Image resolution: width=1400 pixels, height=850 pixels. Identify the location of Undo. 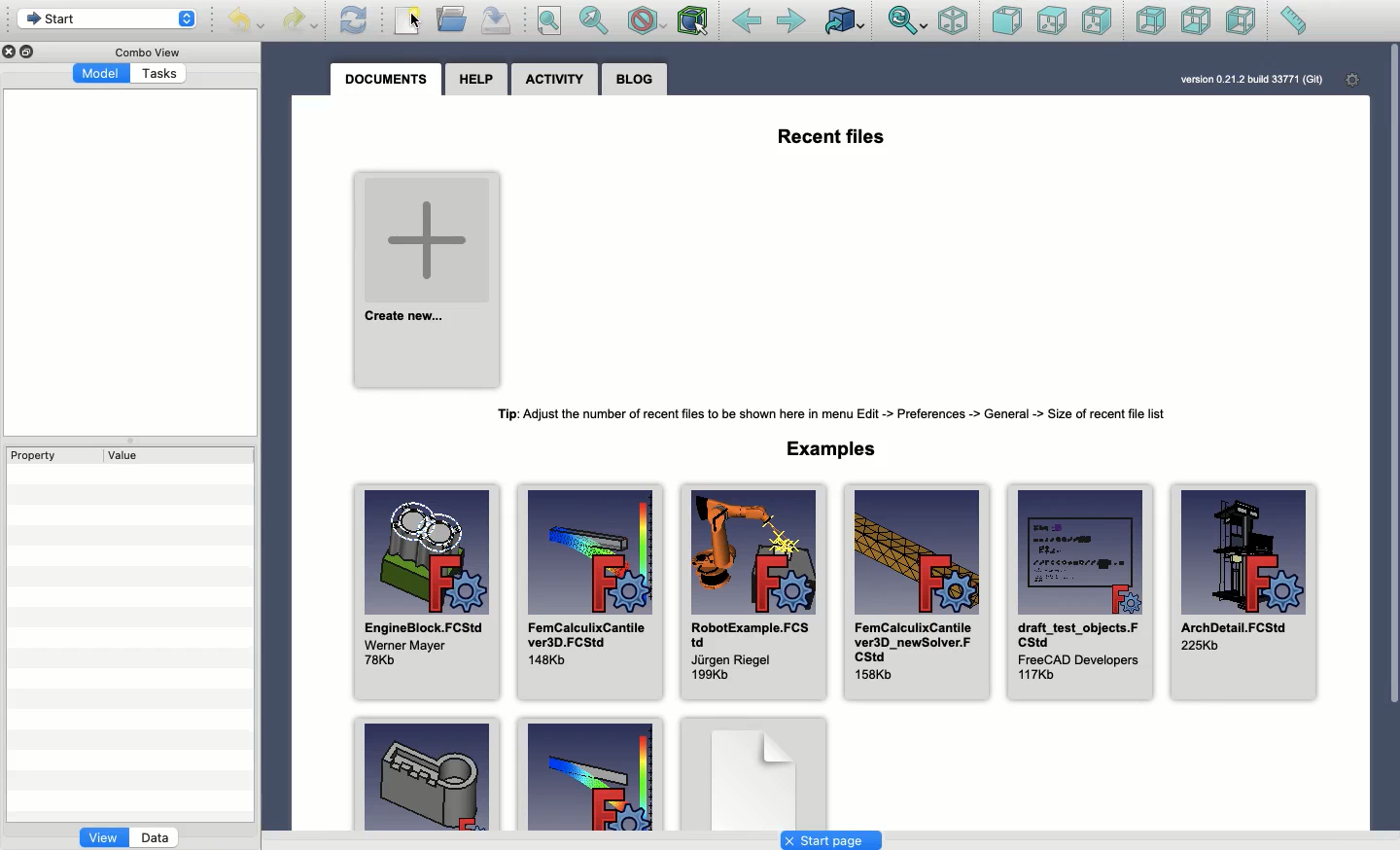
(244, 21).